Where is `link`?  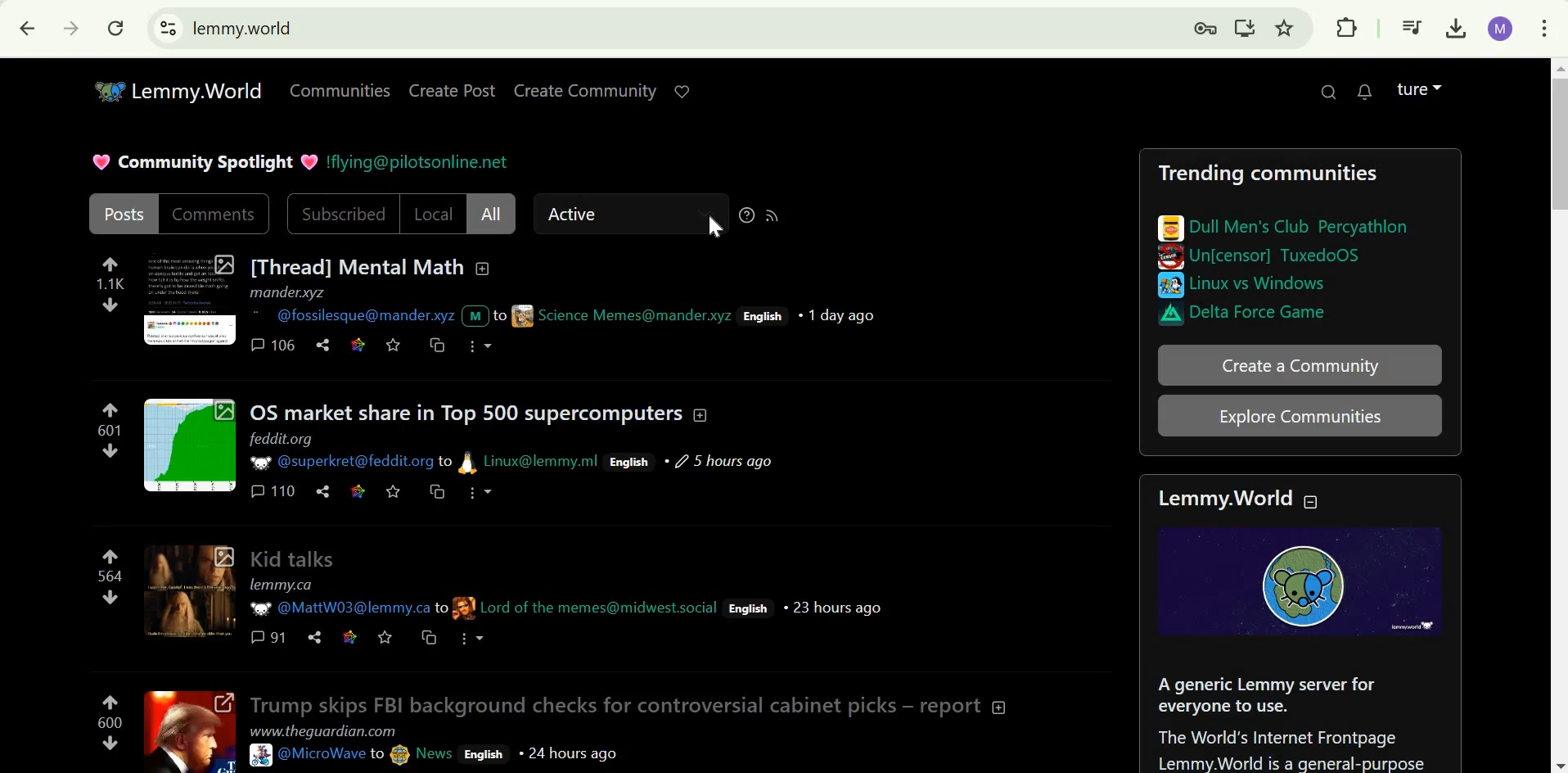 link is located at coordinates (356, 490).